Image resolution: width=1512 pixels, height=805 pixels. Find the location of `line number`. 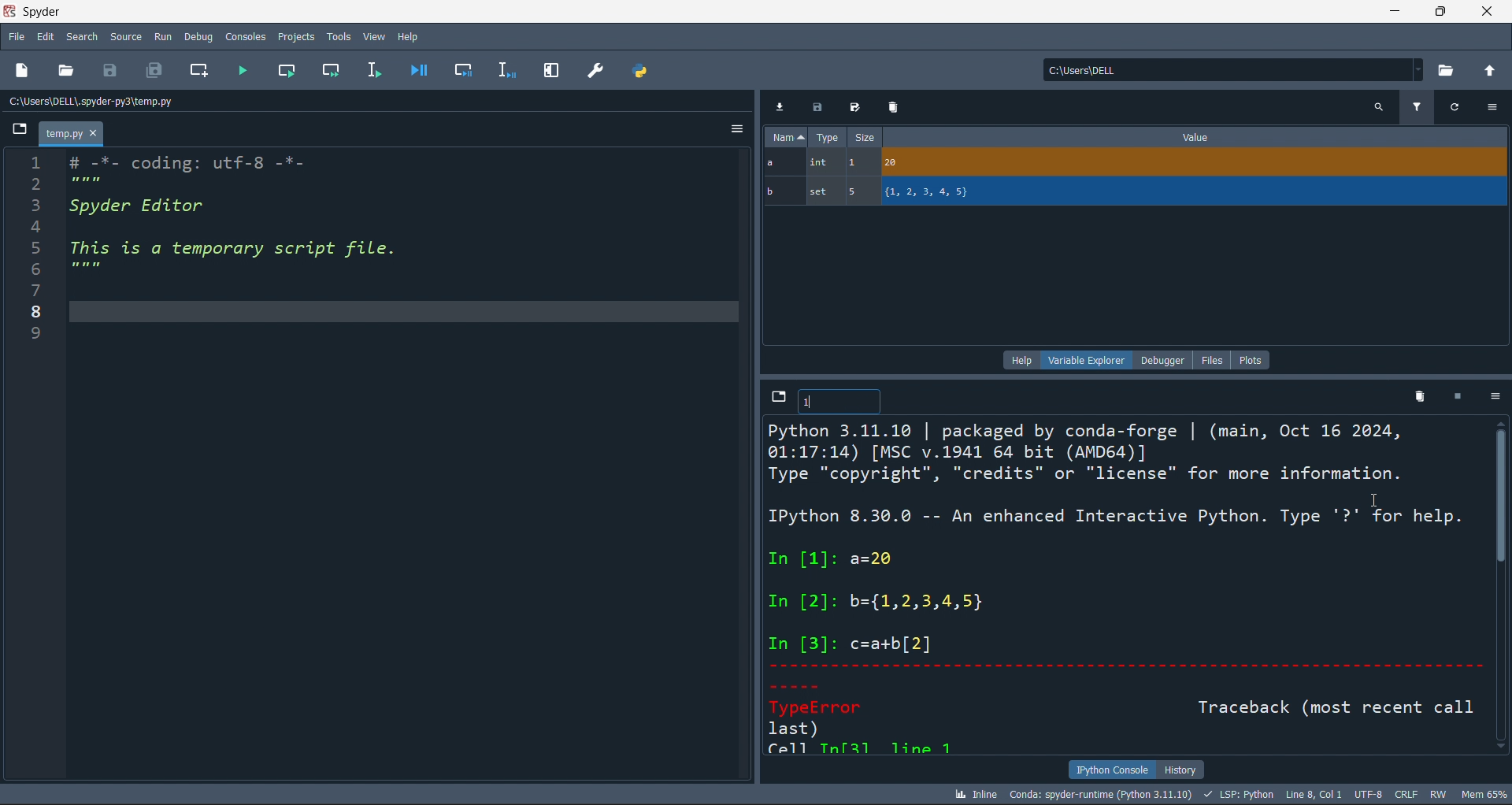

line number is located at coordinates (28, 469).